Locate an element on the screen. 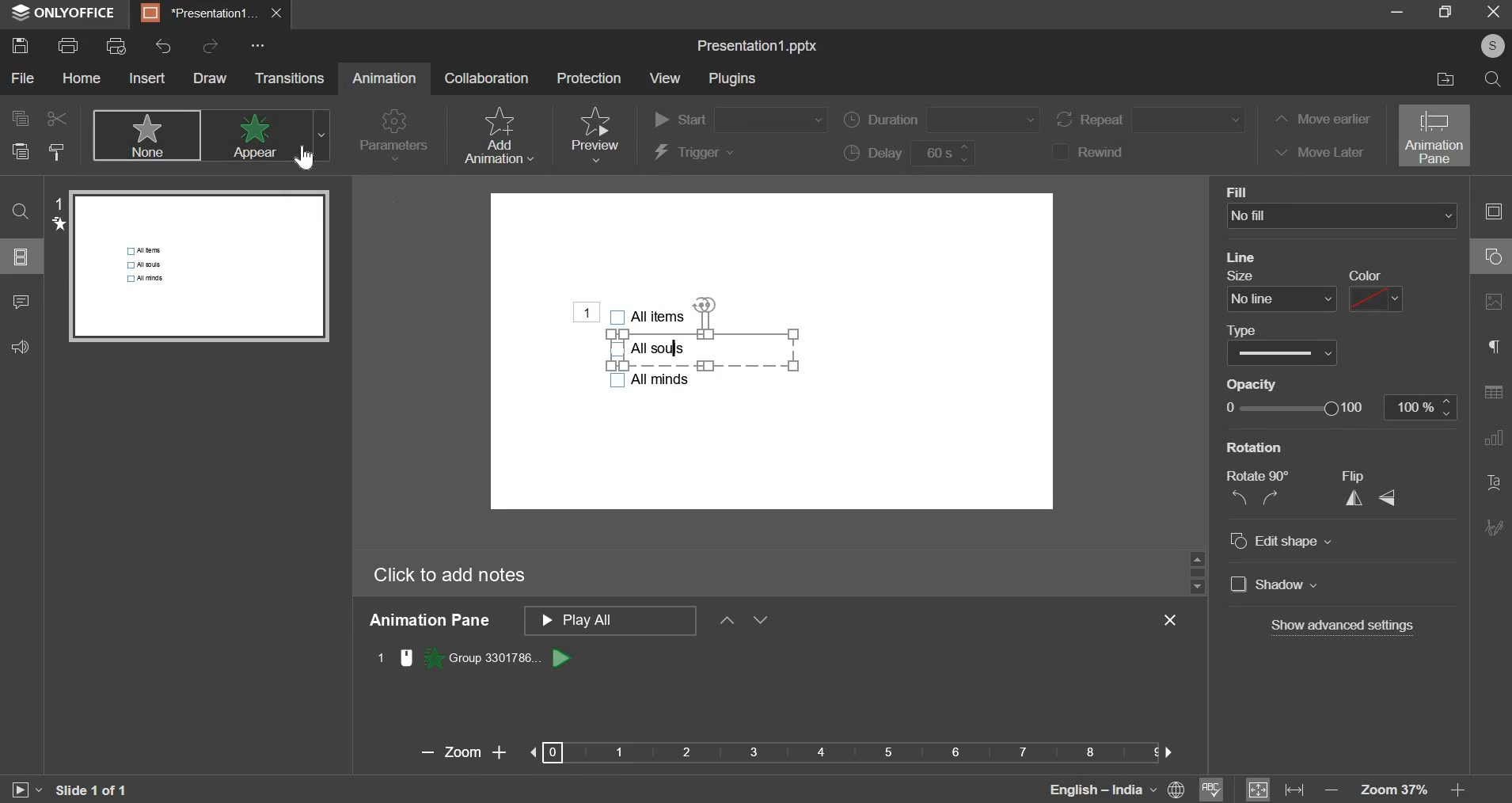 The width and height of the screenshot is (1512, 803). file location is located at coordinates (1439, 79).